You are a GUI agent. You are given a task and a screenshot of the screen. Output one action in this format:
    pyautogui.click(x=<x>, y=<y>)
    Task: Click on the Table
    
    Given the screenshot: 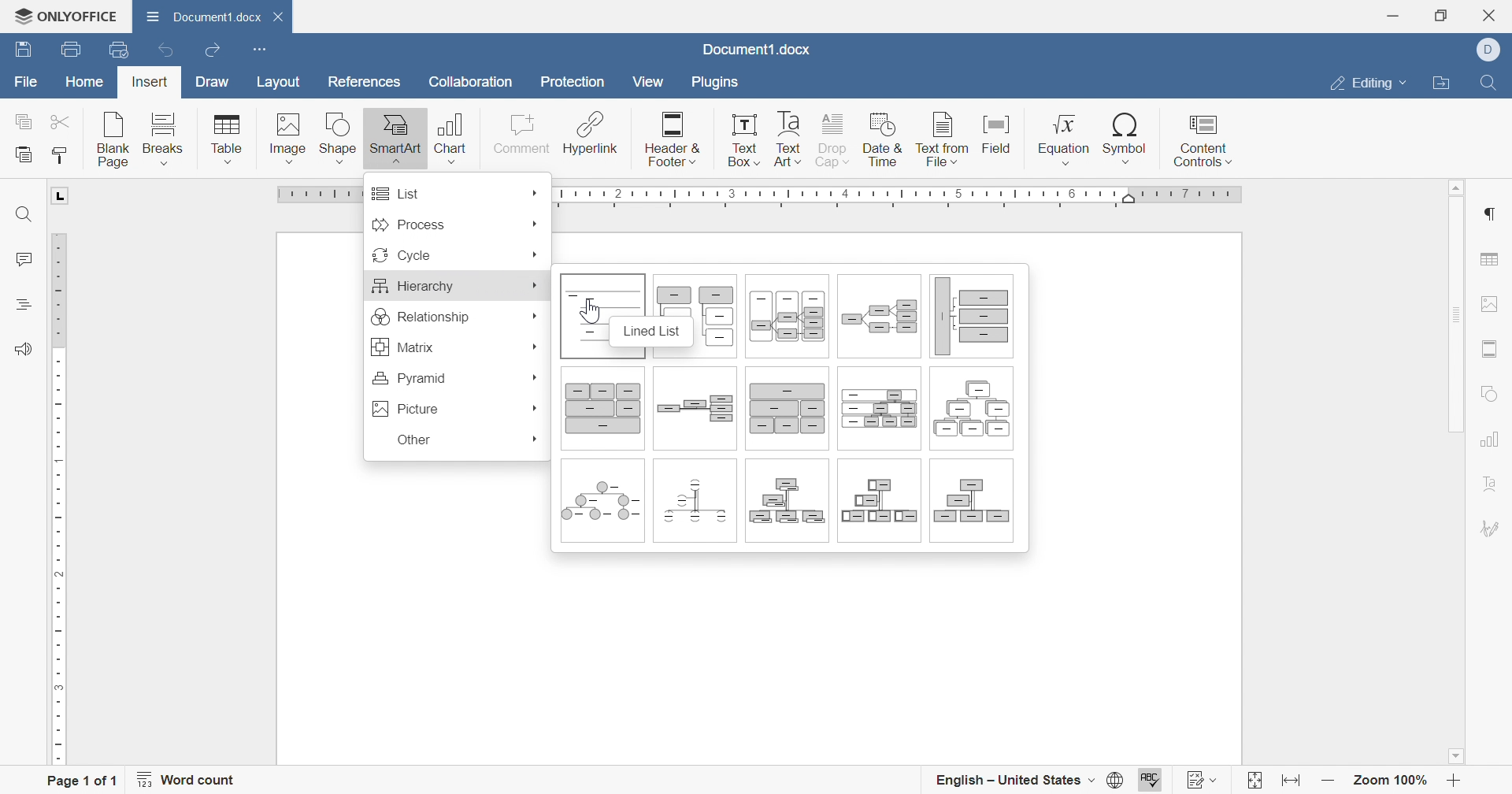 What is the action you would take?
    pyautogui.click(x=228, y=139)
    